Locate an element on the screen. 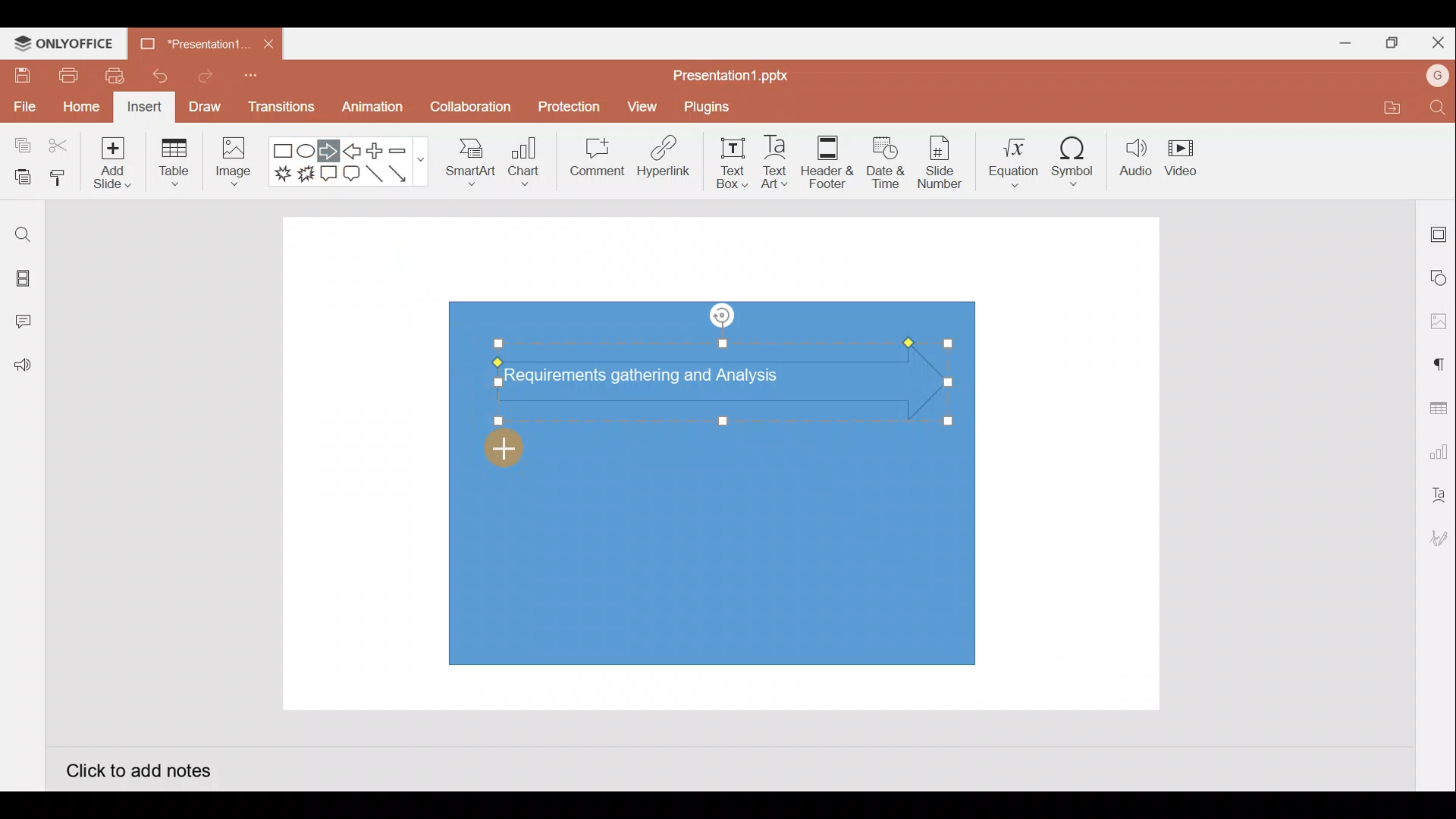  View is located at coordinates (645, 103).